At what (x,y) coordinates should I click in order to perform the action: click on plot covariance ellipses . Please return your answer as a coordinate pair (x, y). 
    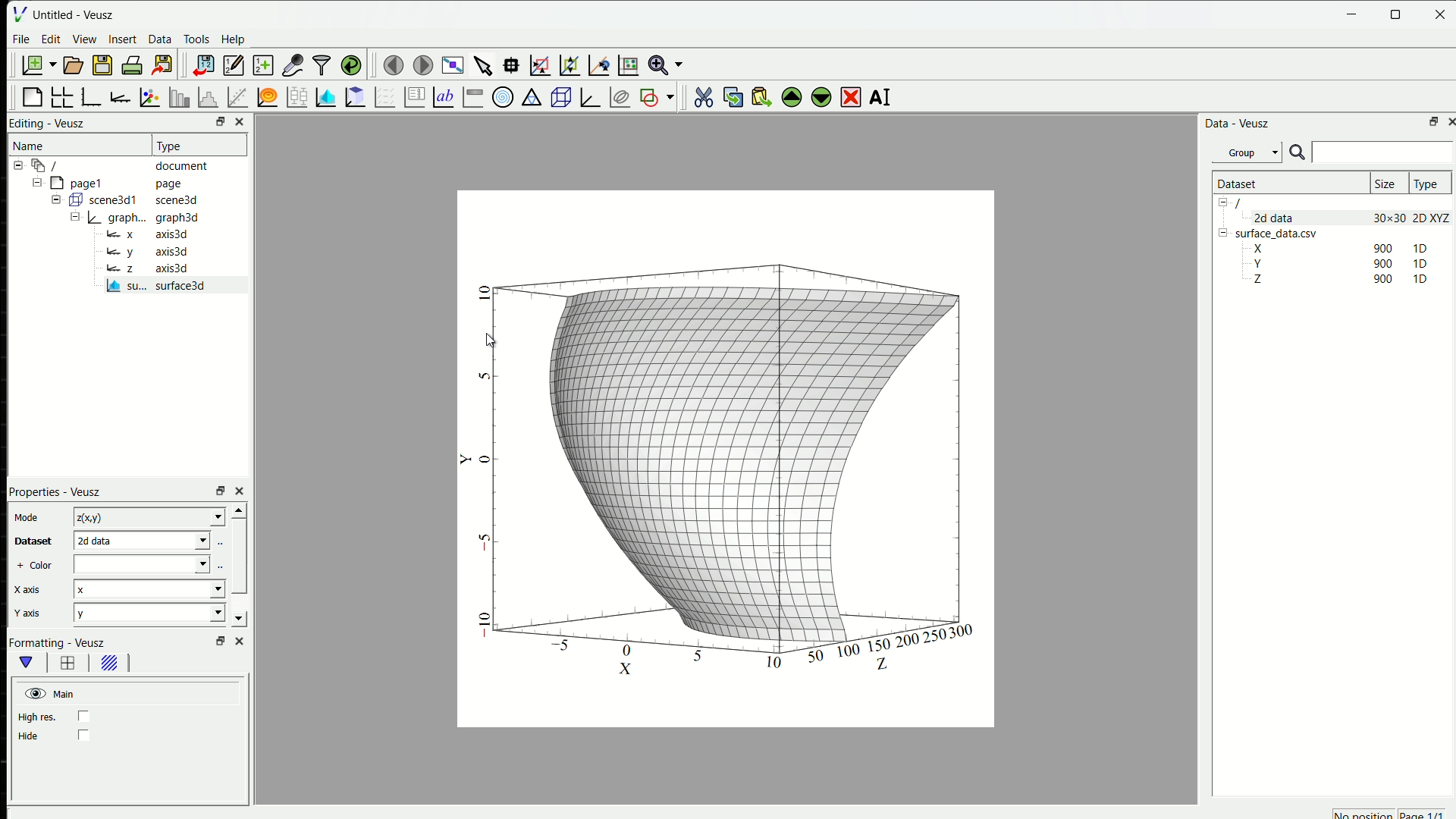
    Looking at the image, I should click on (621, 96).